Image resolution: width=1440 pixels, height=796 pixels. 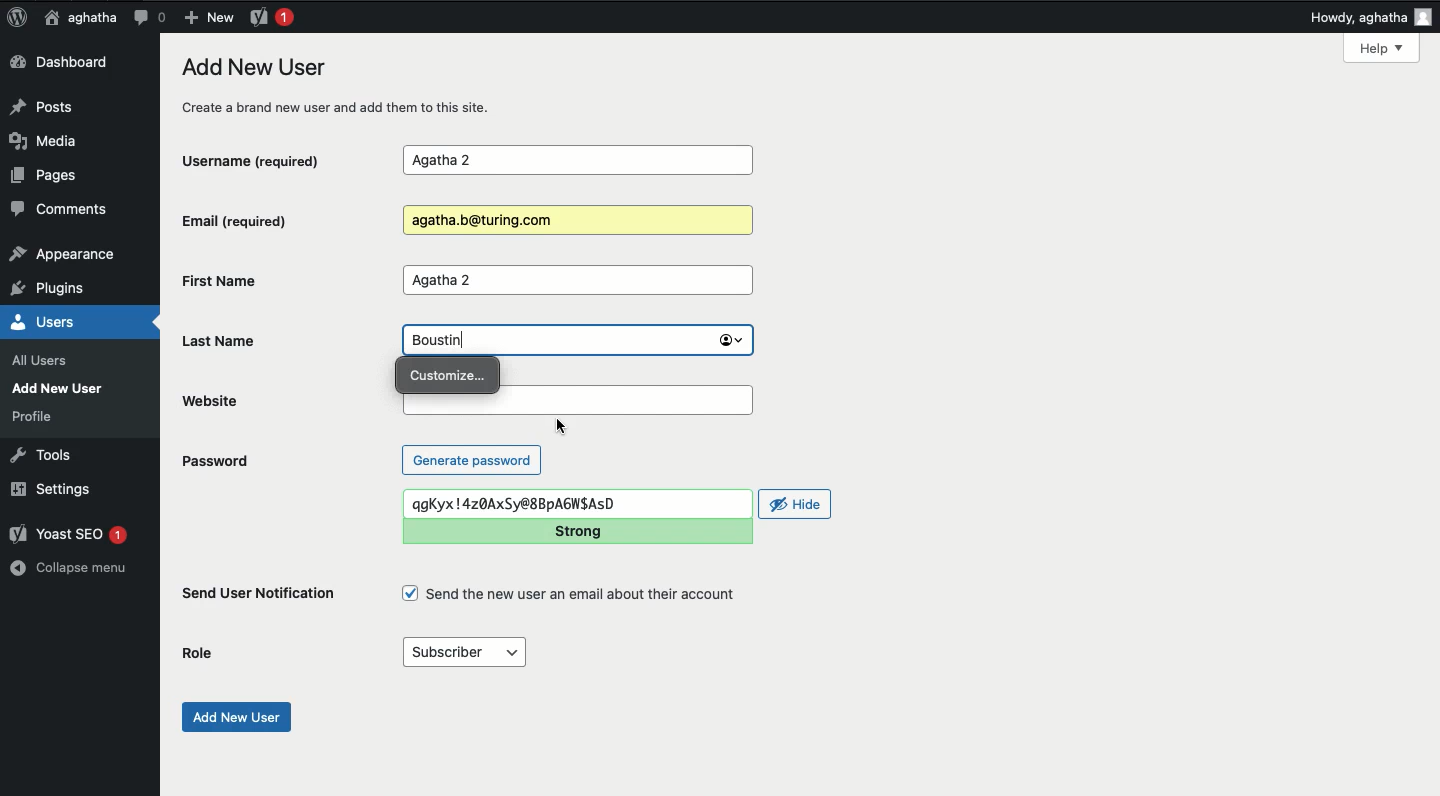 What do you see at coordinates (1371, 17) in the screenshot?
I see `Howdy, aghatha` at bounding box center [1371, 17].